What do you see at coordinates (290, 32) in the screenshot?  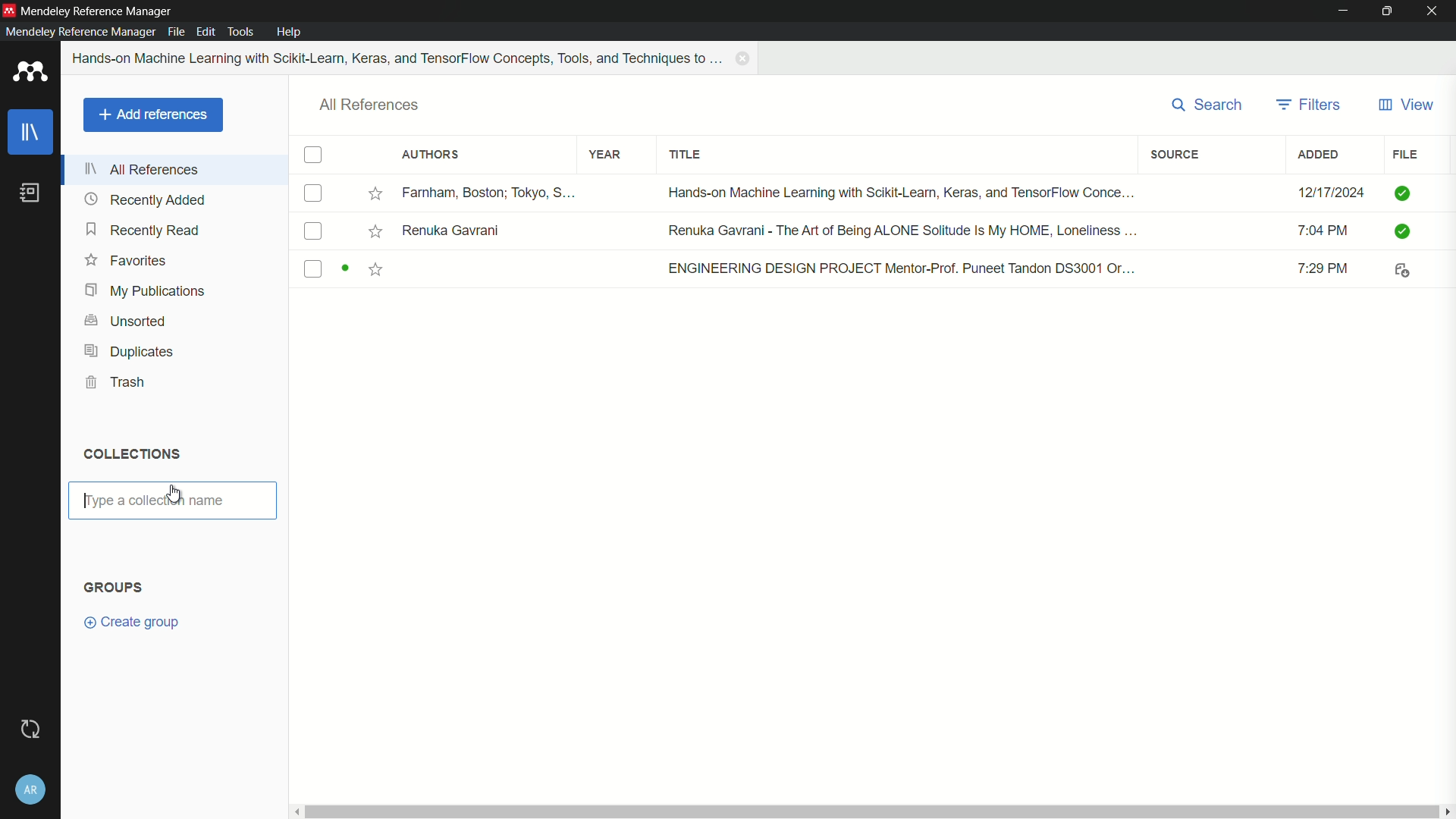 I see `help menu` at bounding box center [290, 32].